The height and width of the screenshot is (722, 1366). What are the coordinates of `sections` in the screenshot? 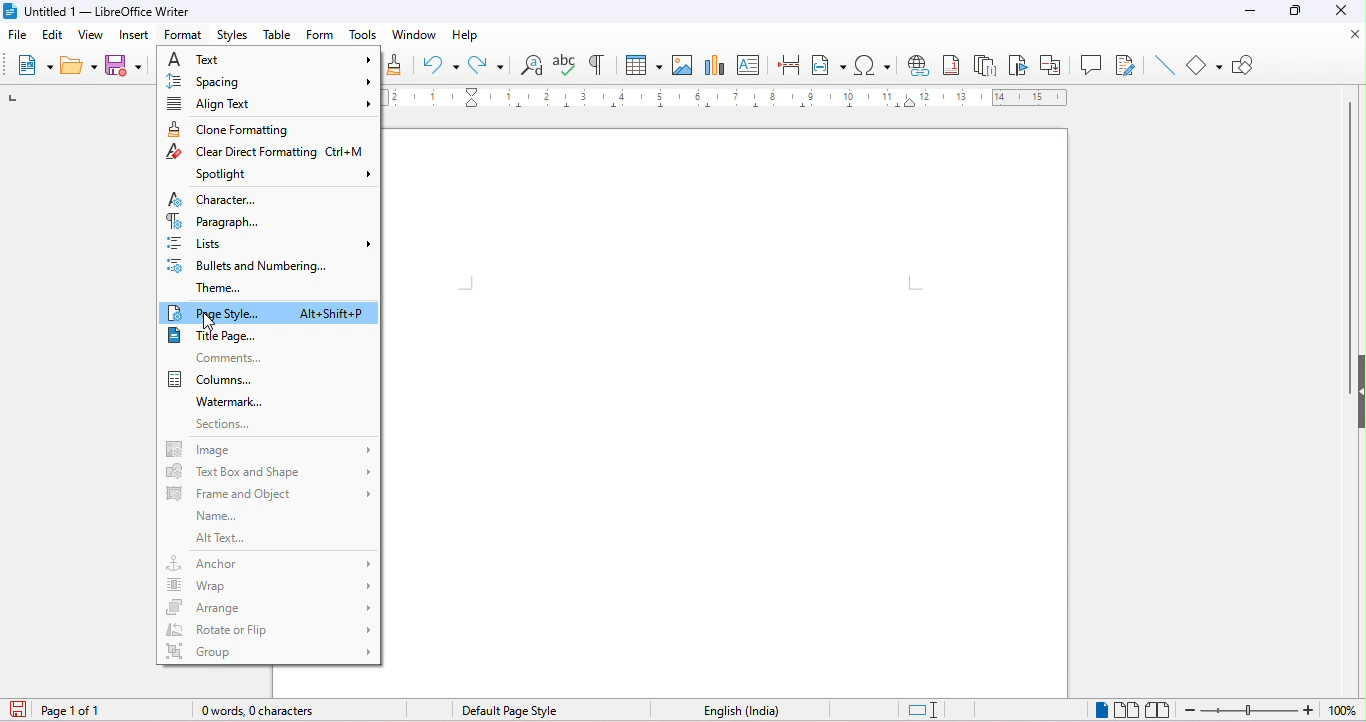 It's located at (229, 426).